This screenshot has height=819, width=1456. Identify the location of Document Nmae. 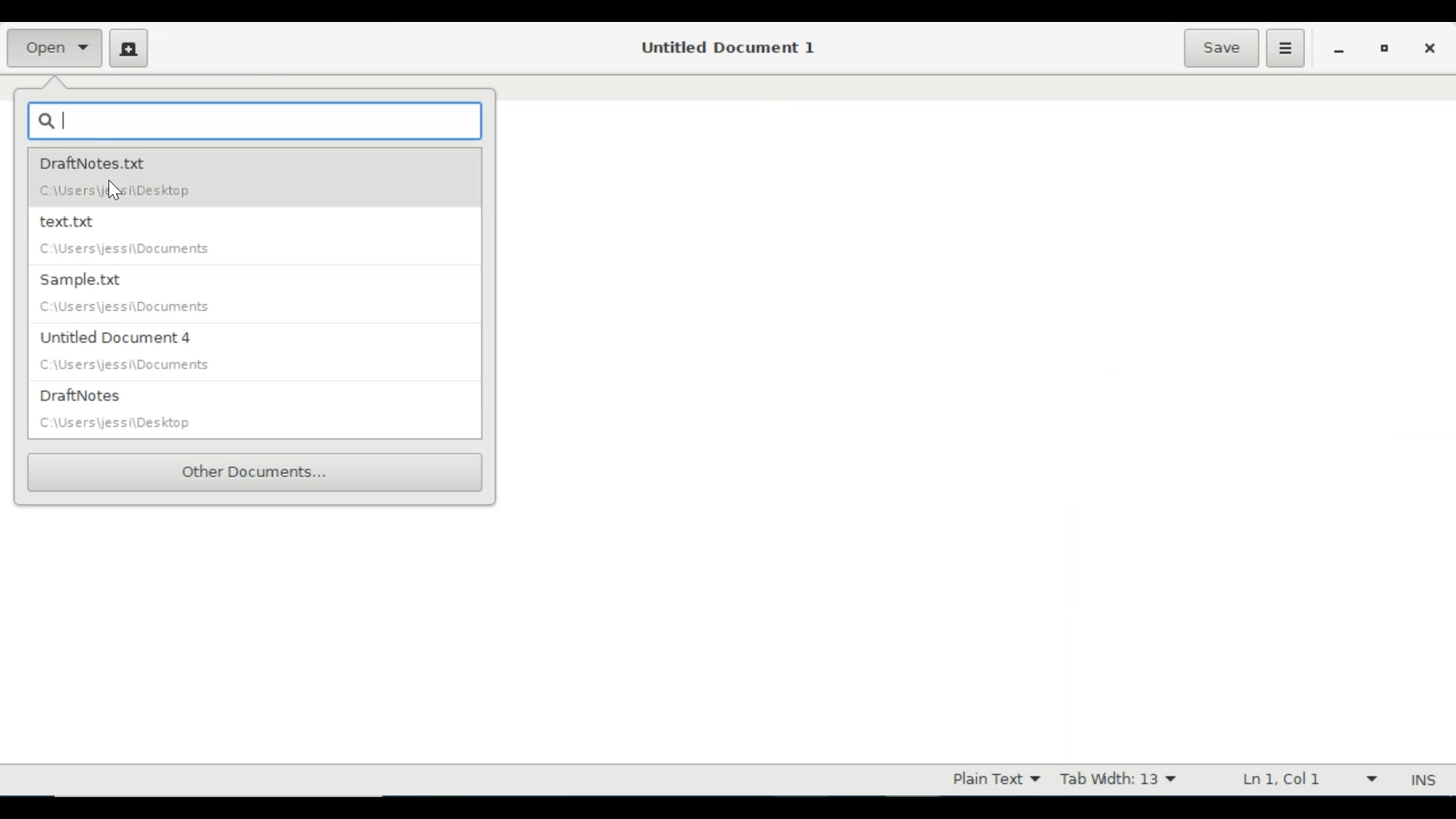
(725, 47).